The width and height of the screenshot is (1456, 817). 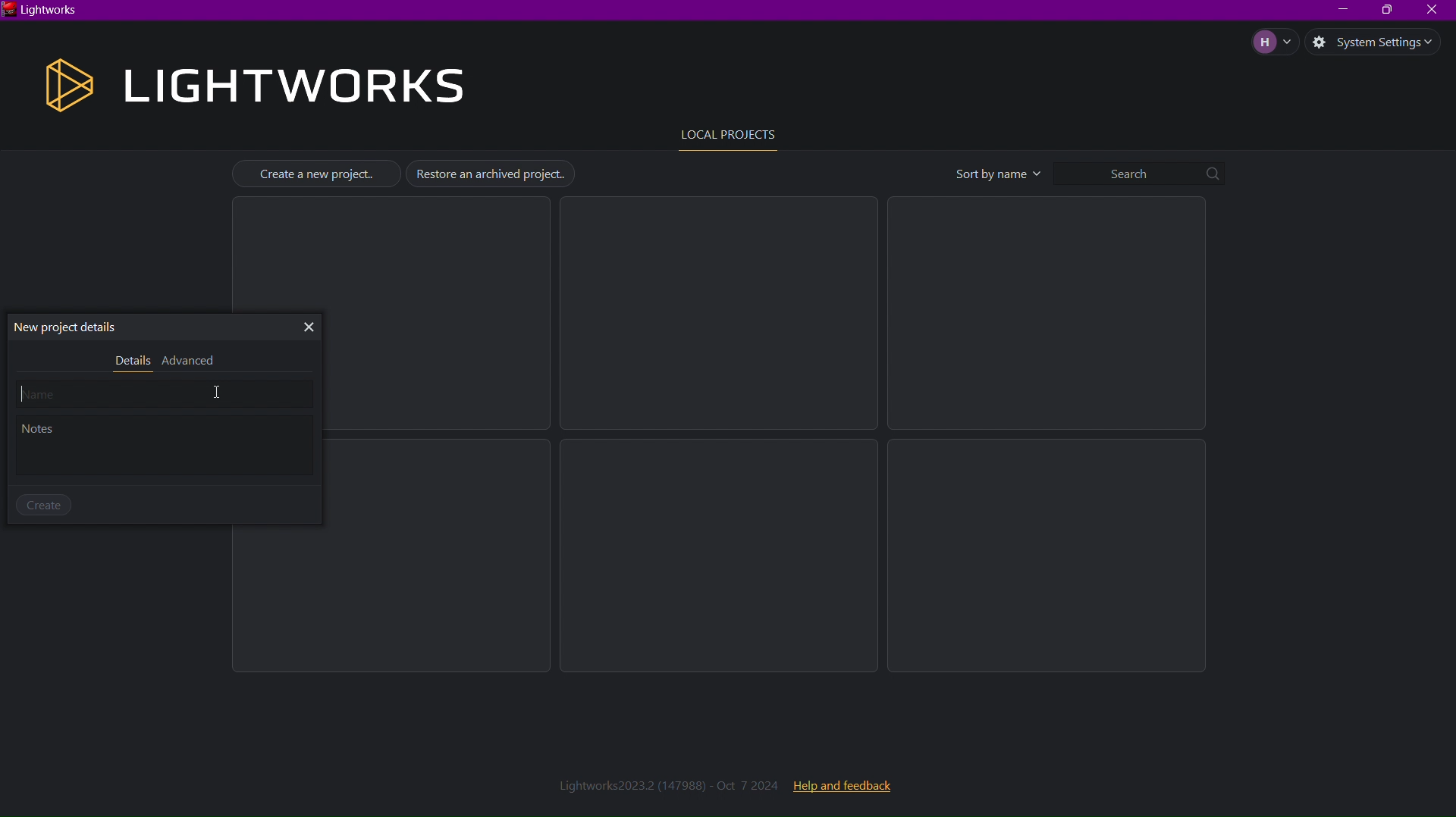 What do you see at coordinates (317, 174) in the screenshot?
I see `Create a new project` at bounding box center [317, 174].